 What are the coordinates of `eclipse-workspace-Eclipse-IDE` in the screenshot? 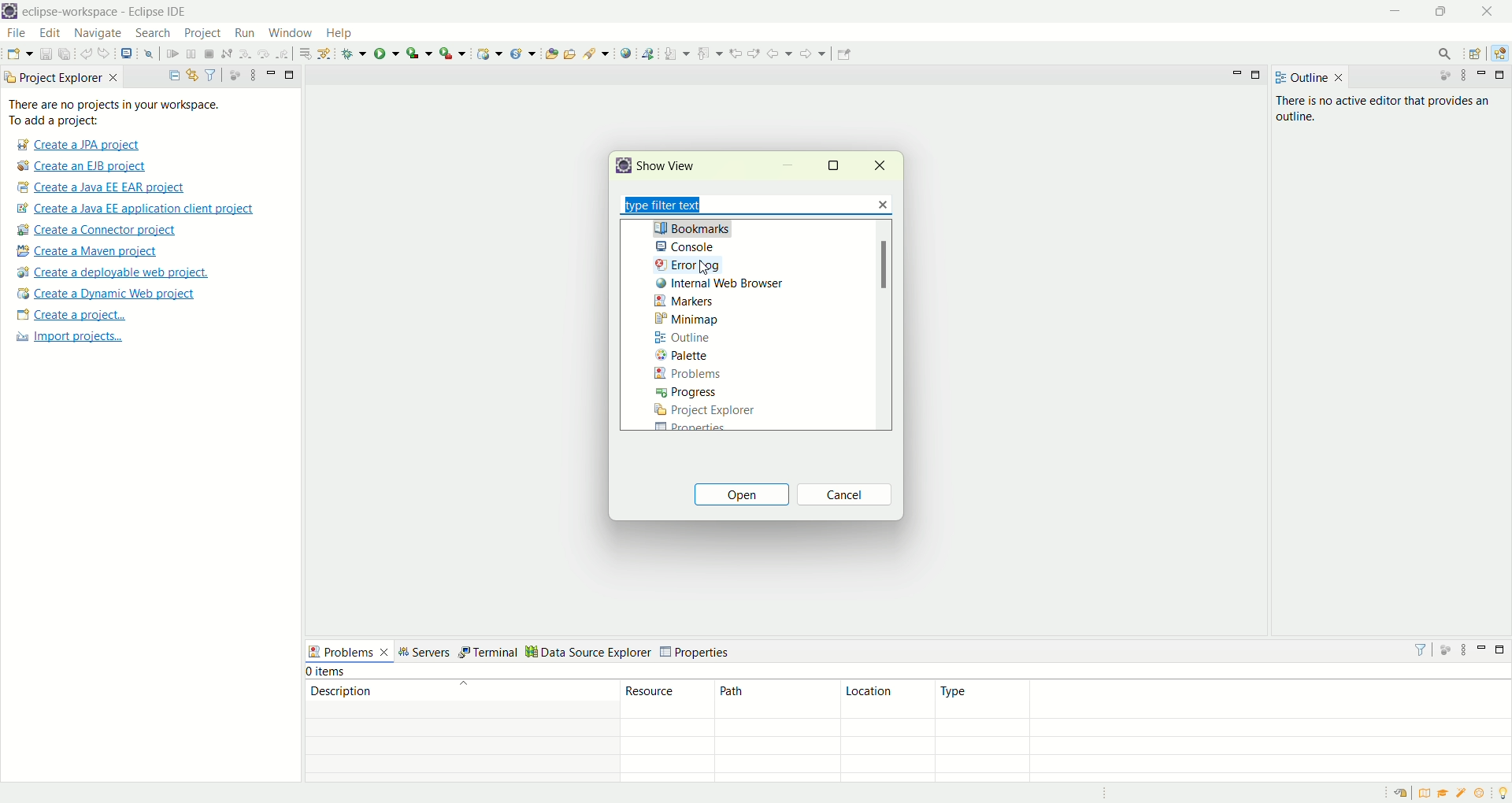 It's located at (112, 16).